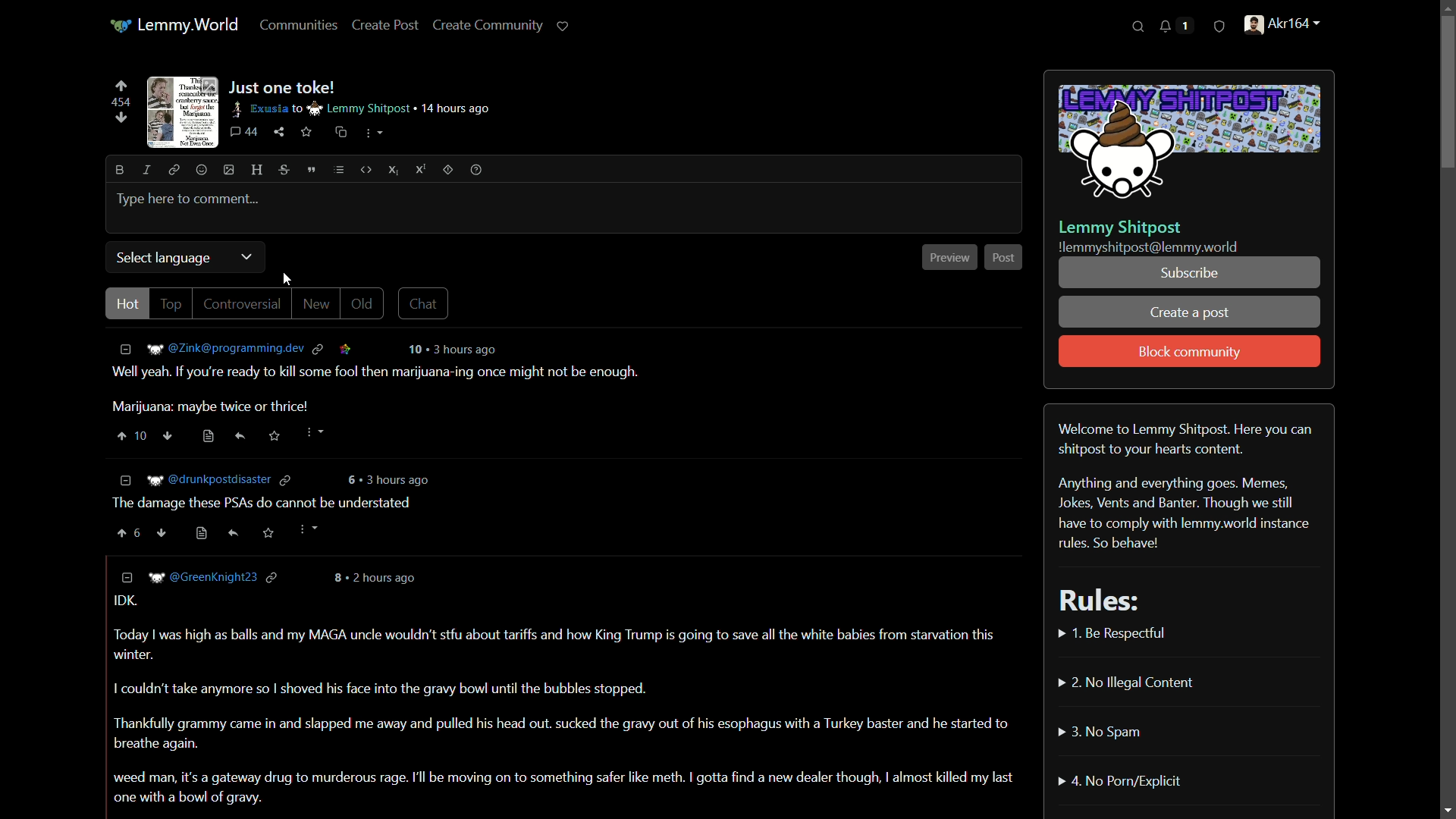 The width and height of the screenshot is (1456, 819). What do you see at coordinates (171, 436) in the screenshot?
I see `downvote` at bounding box center [171, 436].